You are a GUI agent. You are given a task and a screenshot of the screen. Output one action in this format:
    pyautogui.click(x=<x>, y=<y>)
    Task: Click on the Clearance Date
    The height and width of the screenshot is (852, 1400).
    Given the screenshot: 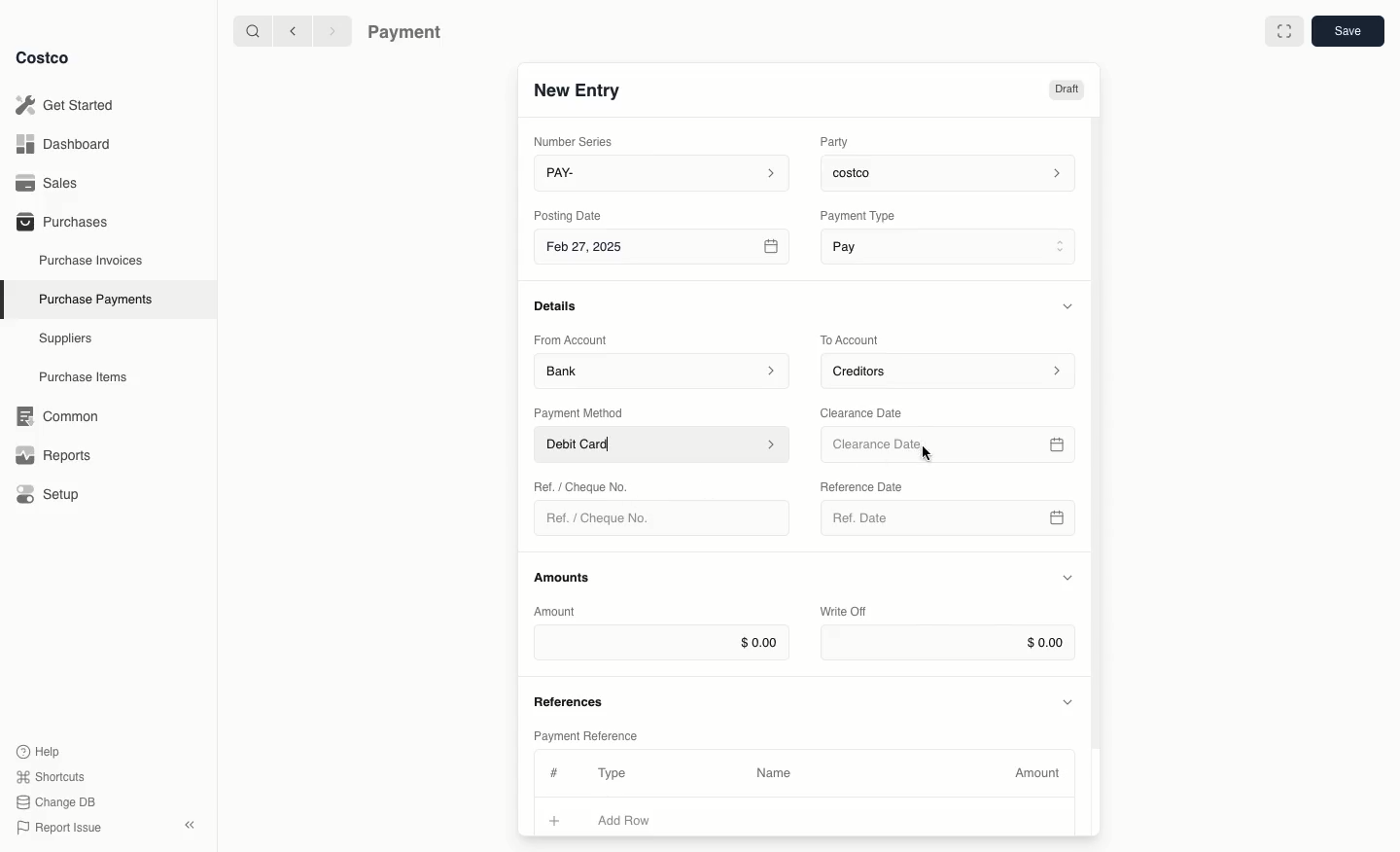 What is the action you would take?
    pyautogui.click(x=868, y=411)
    